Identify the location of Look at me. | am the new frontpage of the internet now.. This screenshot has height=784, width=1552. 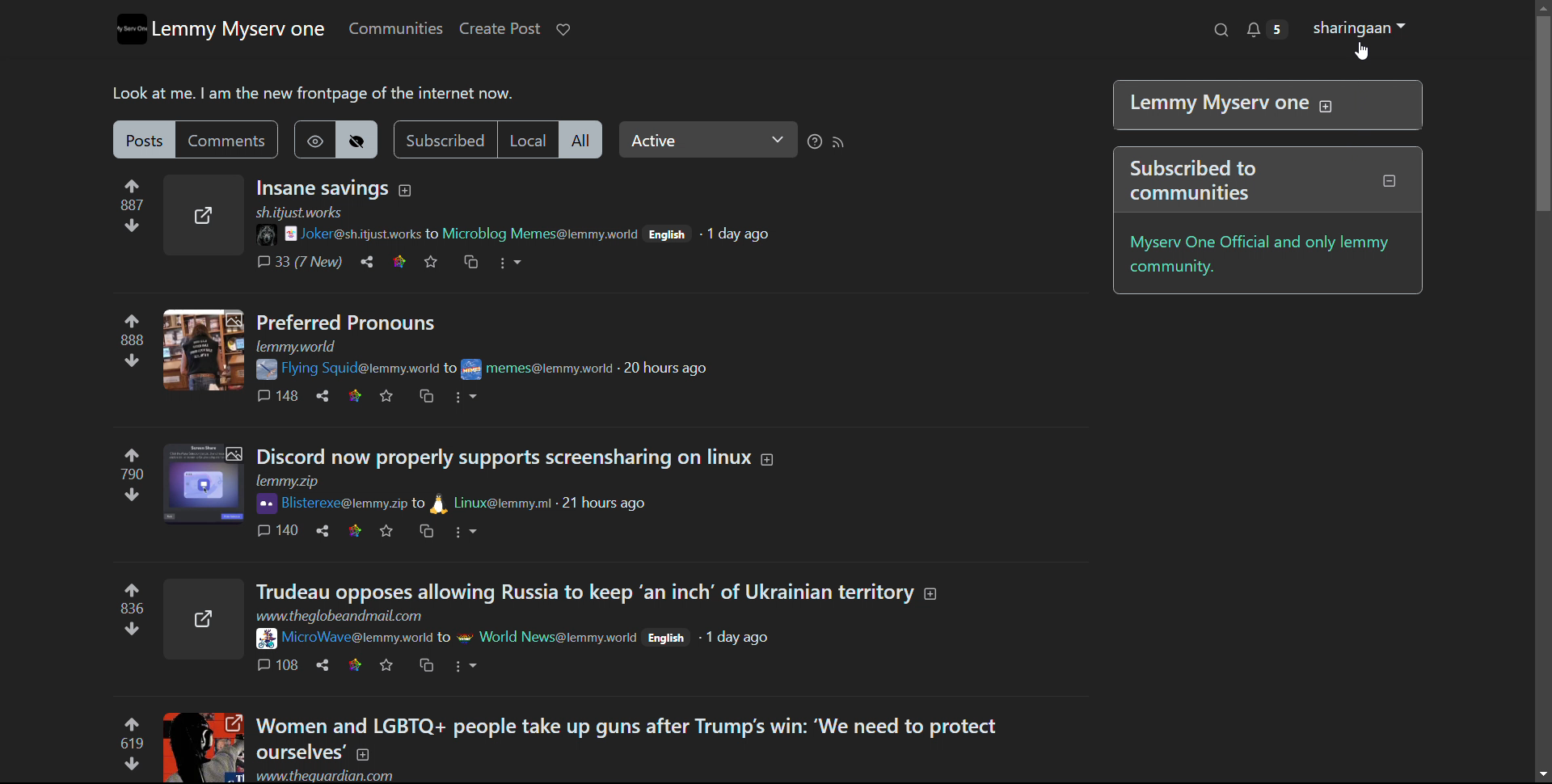
(309, 94).